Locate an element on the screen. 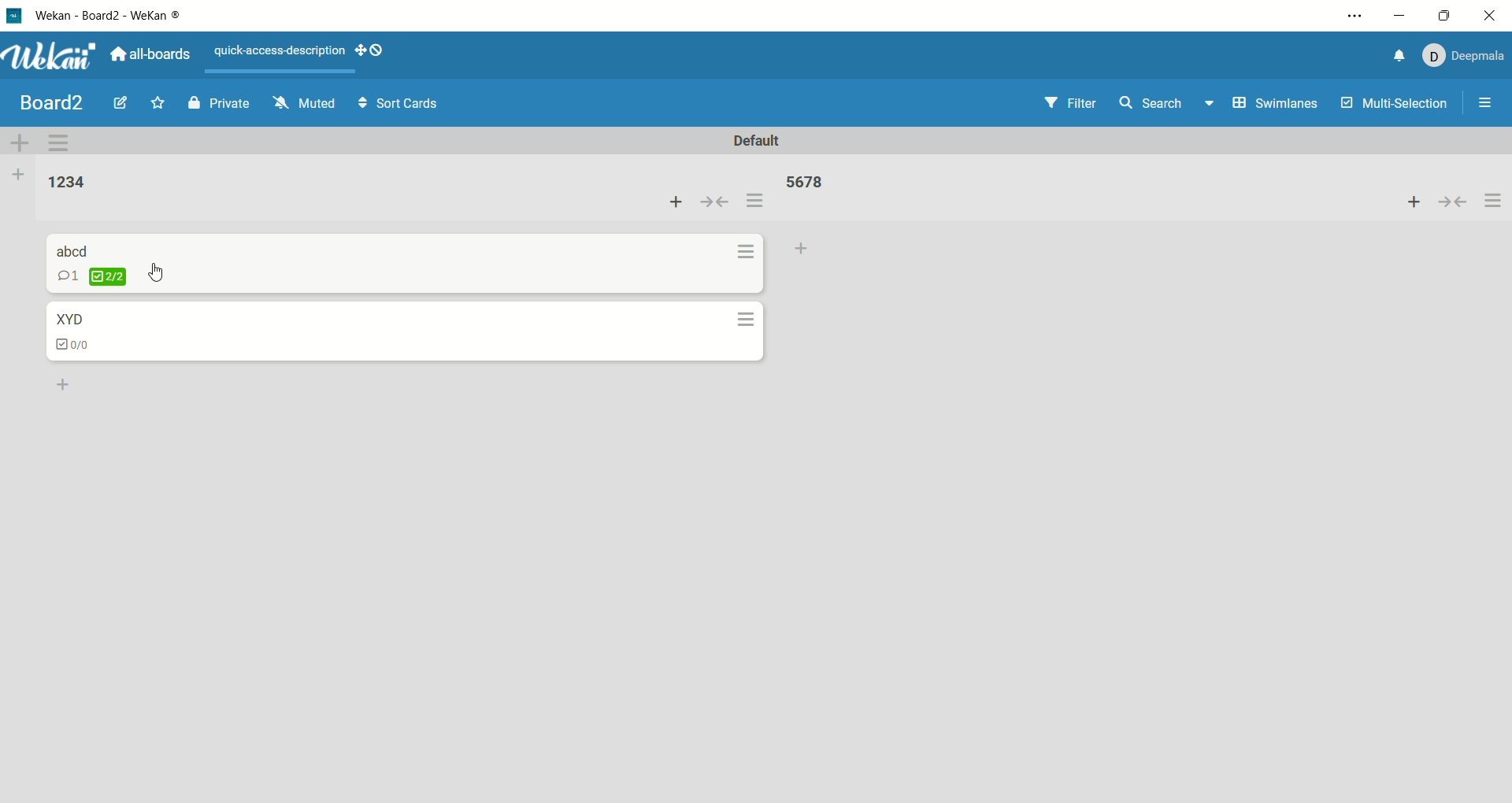 This screenshot has width=1512, height=803. options is located at coordinates (1494, 202).